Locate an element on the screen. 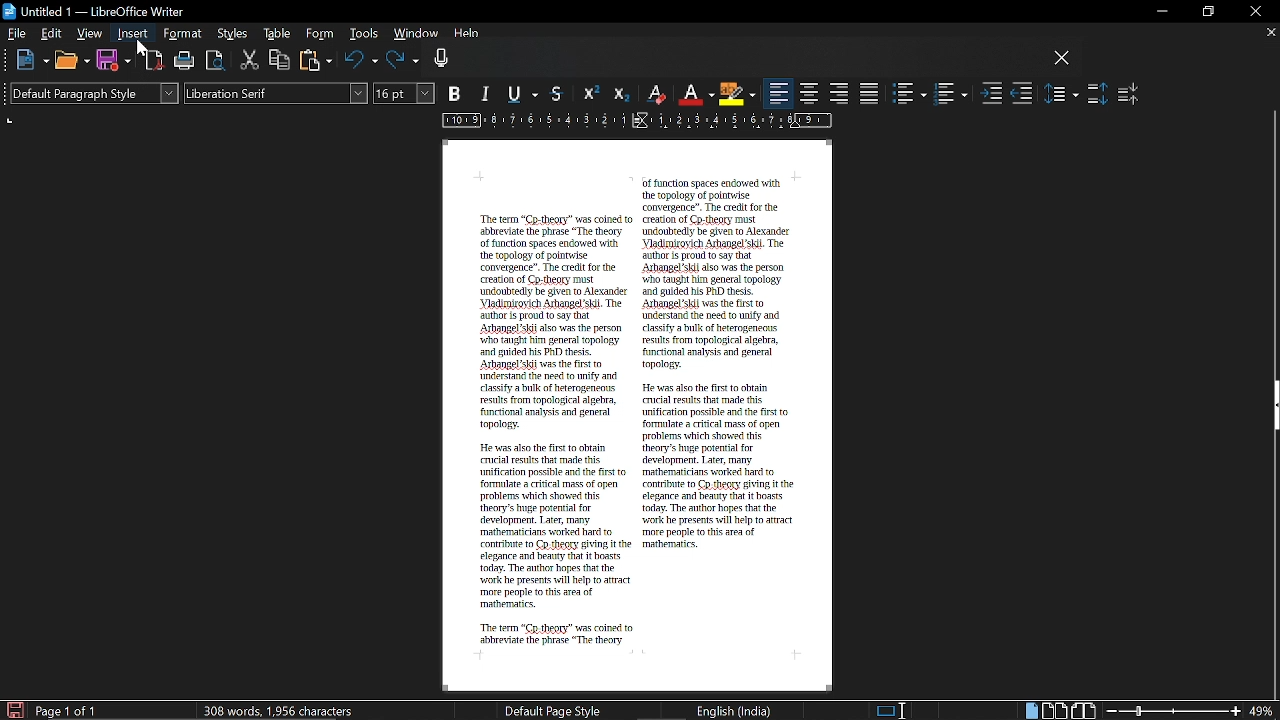  Increase paragraph spacing is located at coordinates (1097, 94).